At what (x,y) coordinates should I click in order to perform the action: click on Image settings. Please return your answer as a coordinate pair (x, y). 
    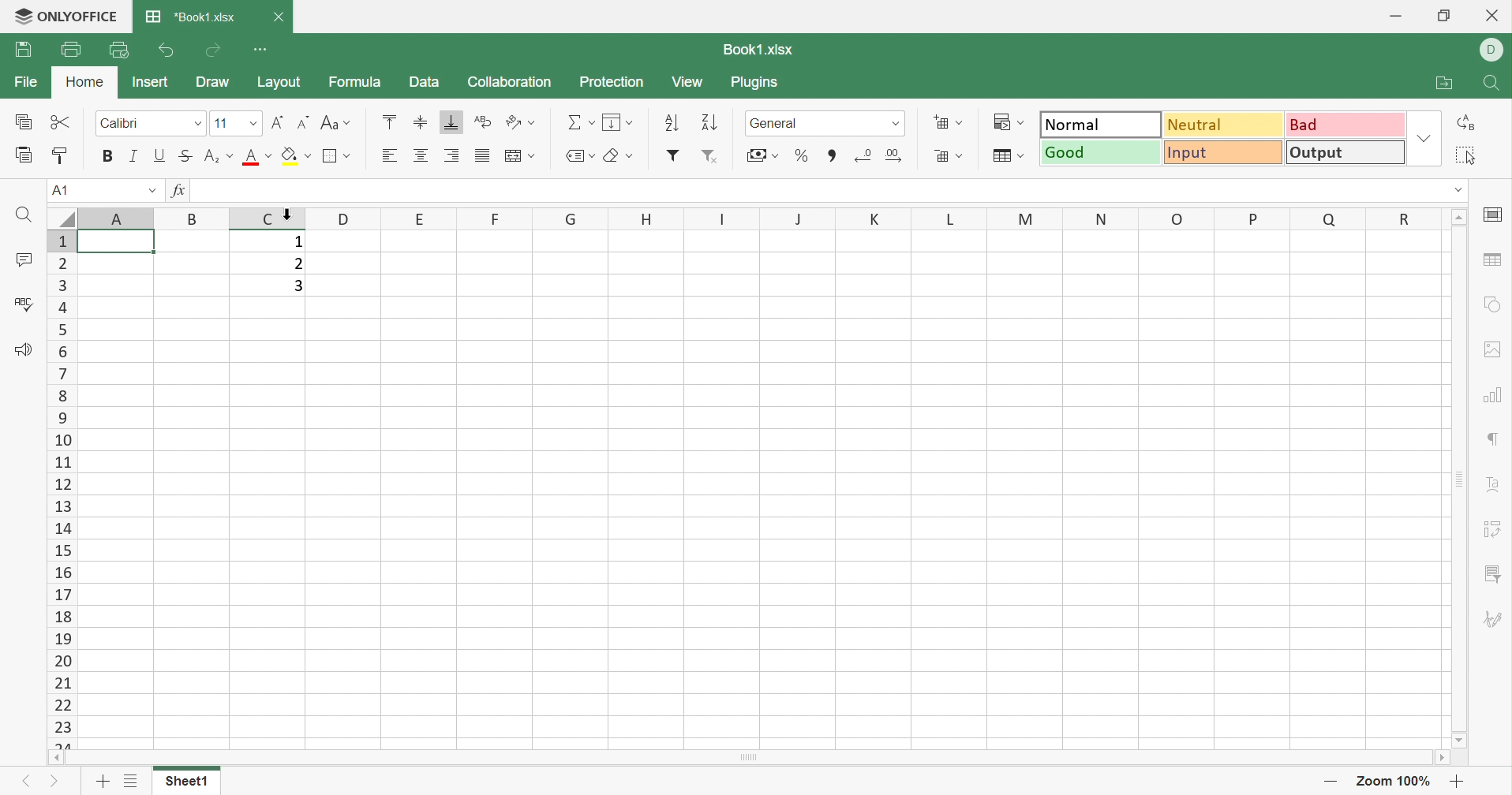
    Looking at the image, I should click on (1495, 351).